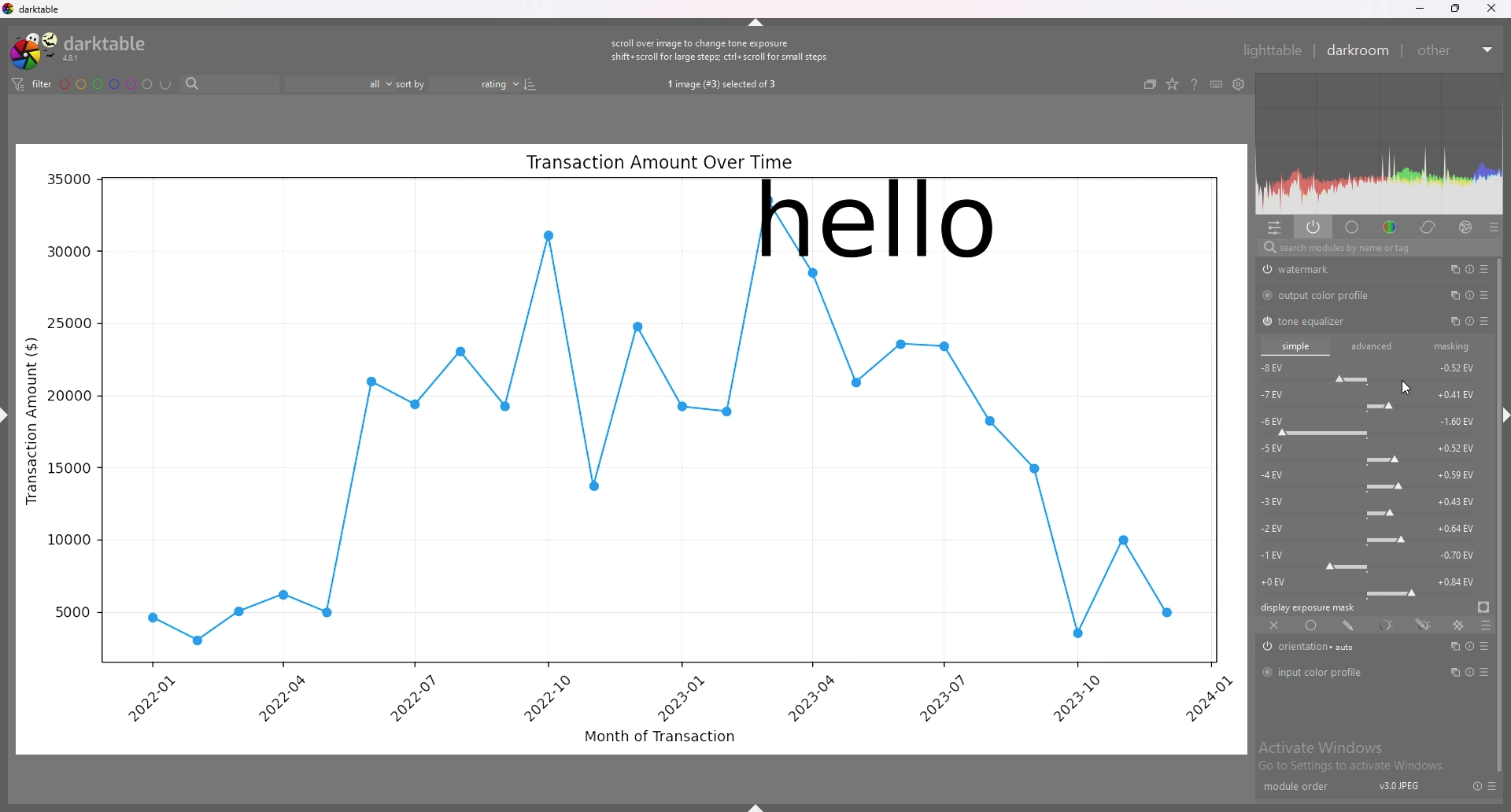  What do you see at coordinates (281, 698) in the screenshot?
I see `2022-04` at bounding box center [281, 698].